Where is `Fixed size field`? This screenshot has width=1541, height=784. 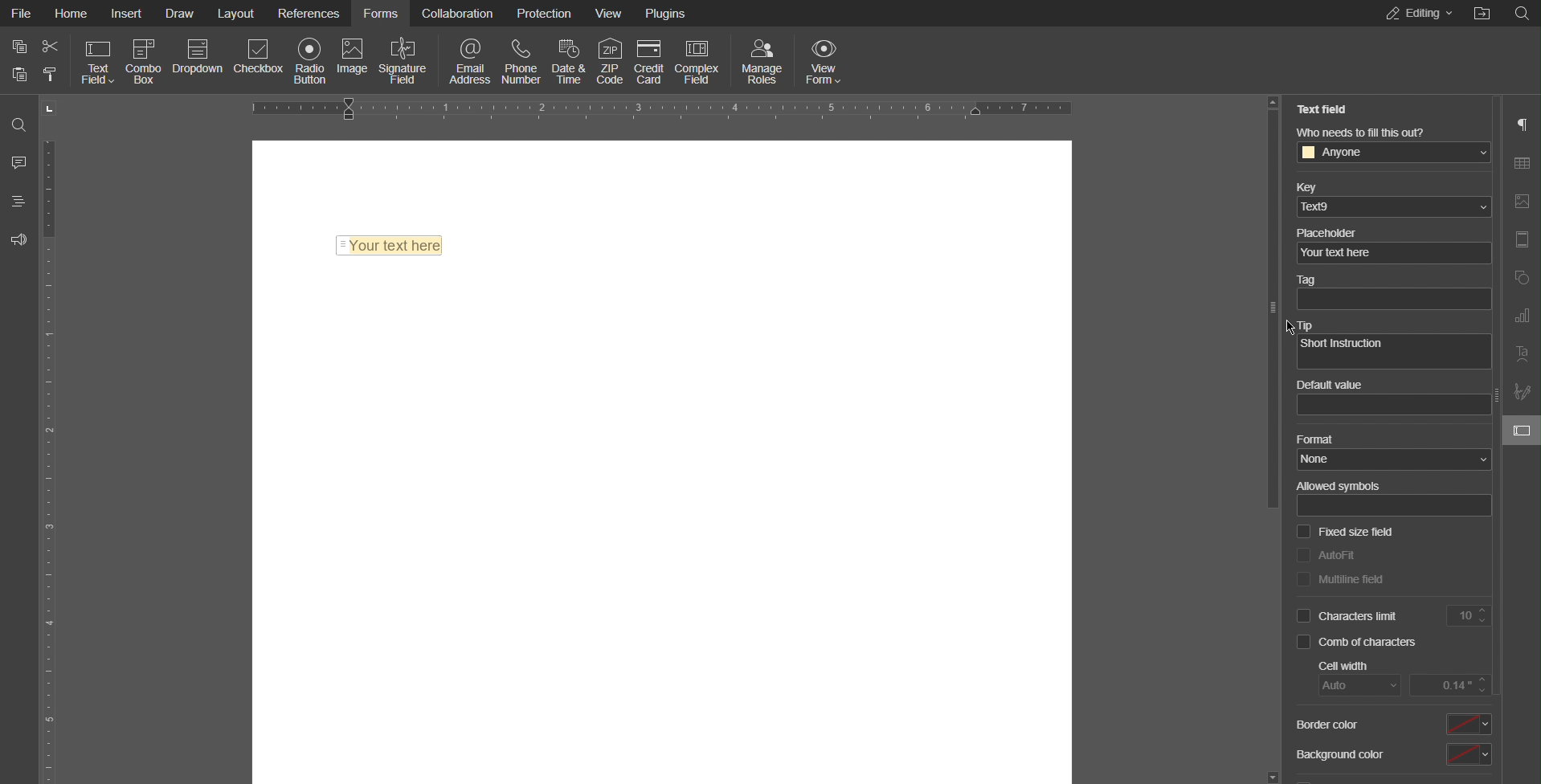 Fixed size field is located at coordinates (1359, 532).